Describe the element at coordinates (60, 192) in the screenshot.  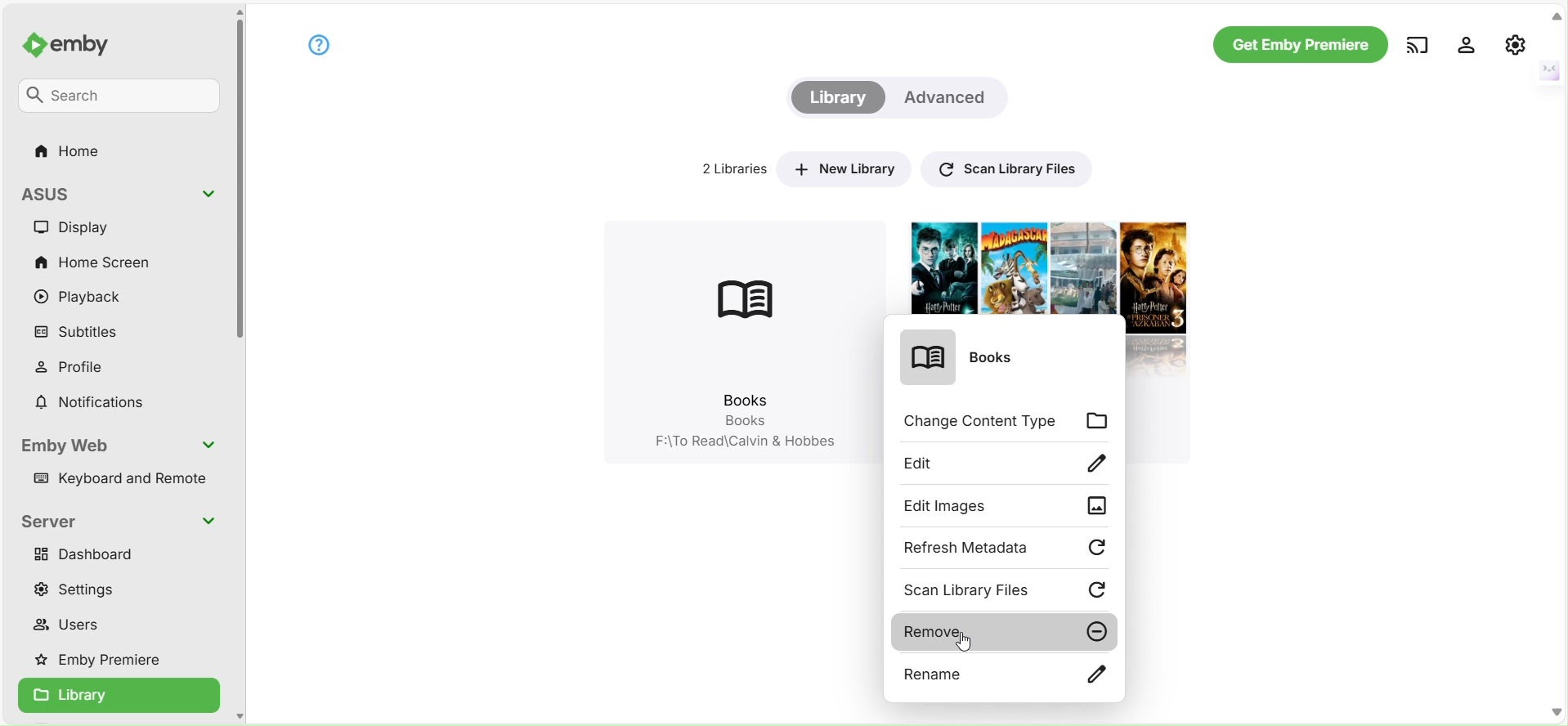
I see `System Name` at that location.